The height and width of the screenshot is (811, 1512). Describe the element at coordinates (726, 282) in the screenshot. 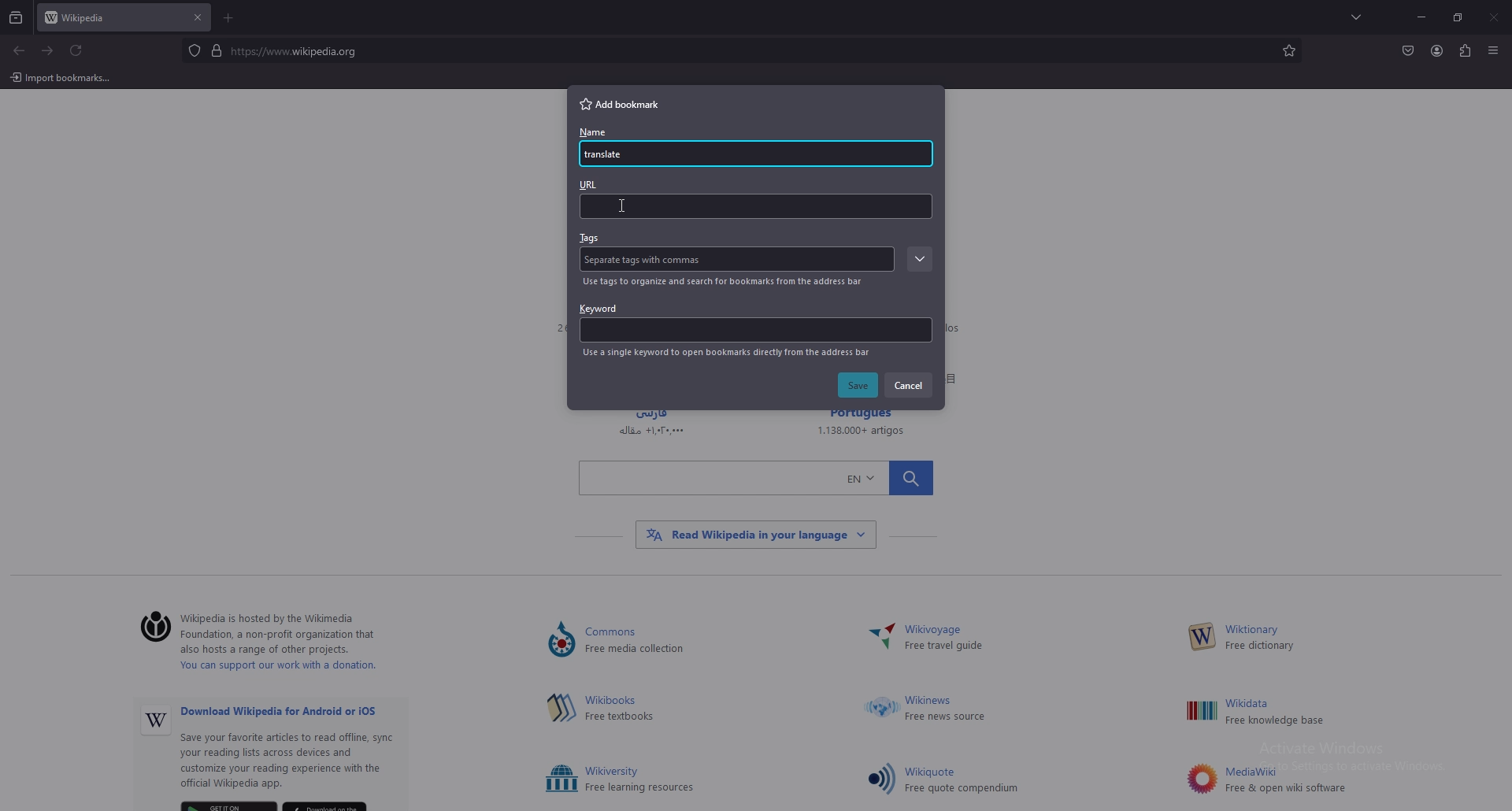

I see `info` at that location.